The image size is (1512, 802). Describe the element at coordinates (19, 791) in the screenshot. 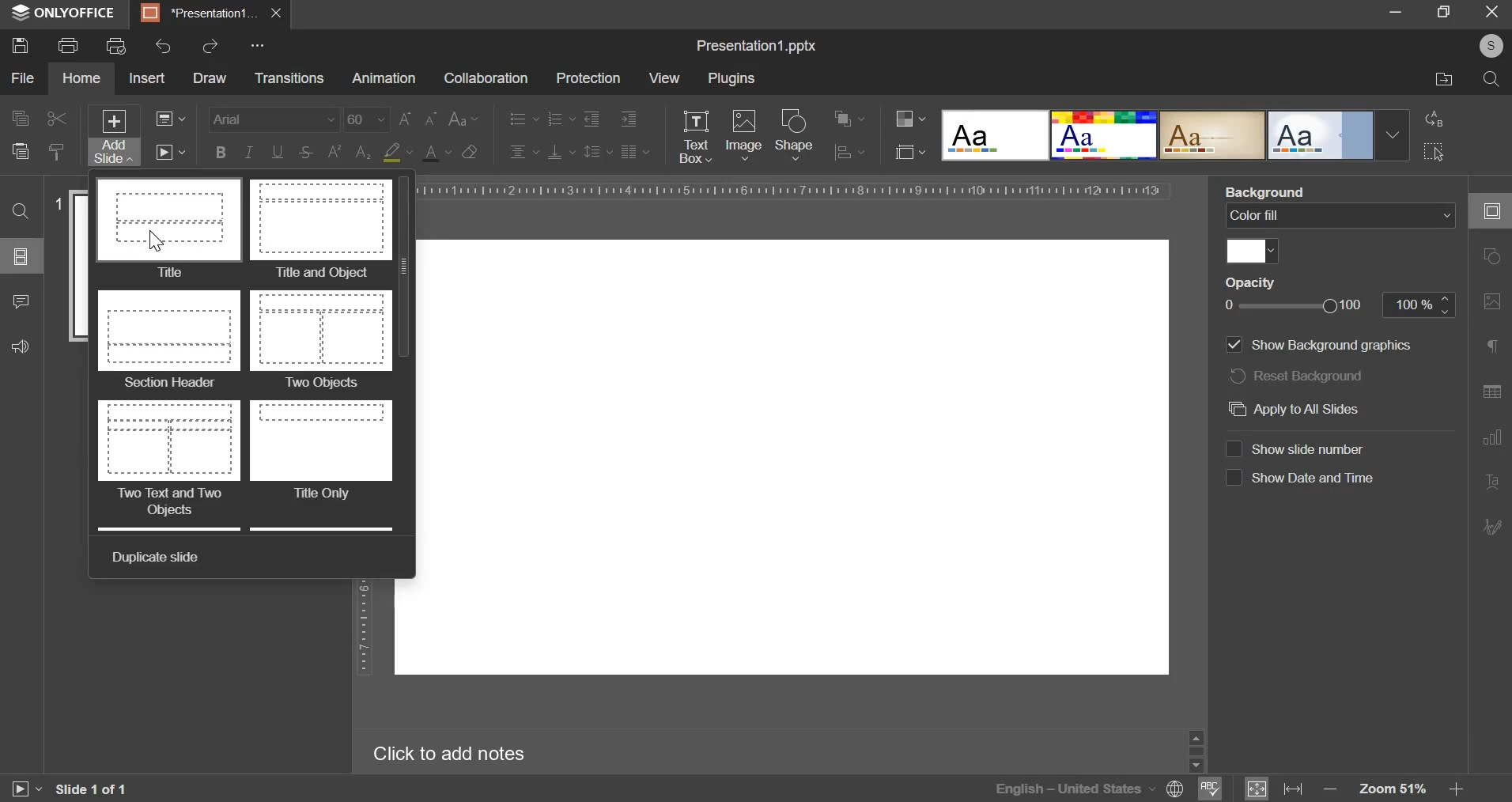

I see `start slide show` at that location.